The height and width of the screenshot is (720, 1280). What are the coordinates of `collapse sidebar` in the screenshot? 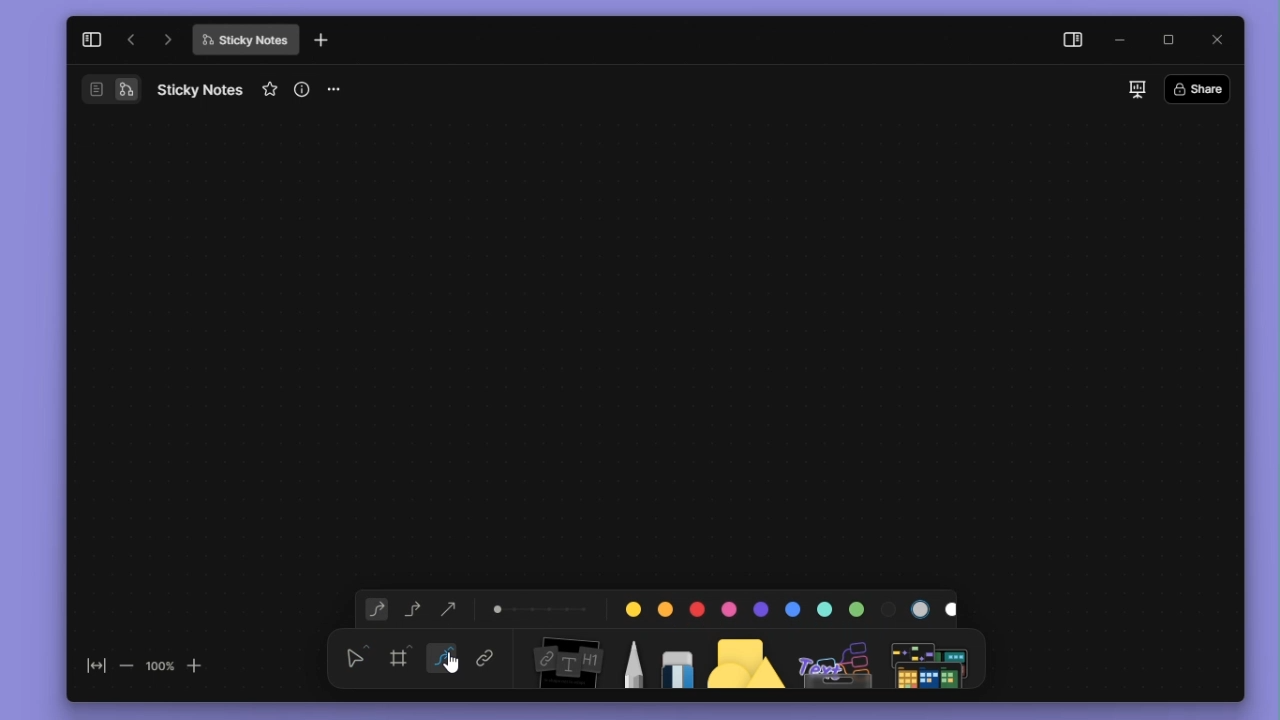 It's located at (91, 39).